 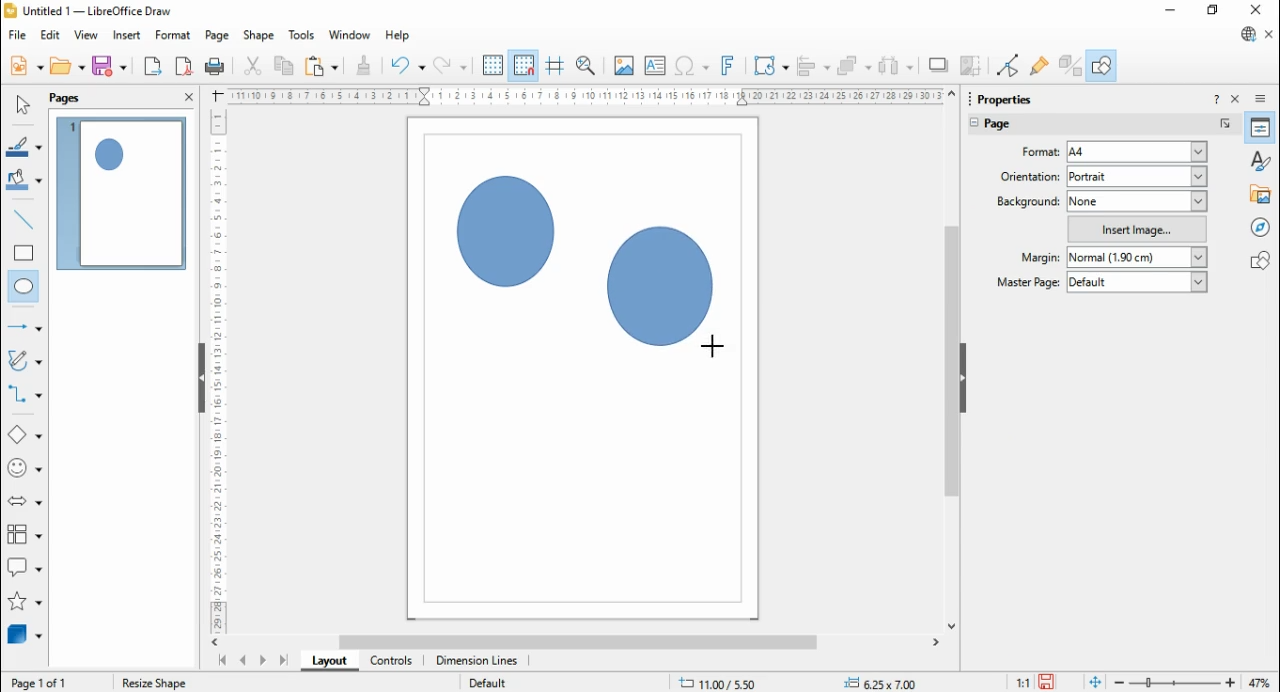 I want to click on Circle shape, so click(x=661, y=290).